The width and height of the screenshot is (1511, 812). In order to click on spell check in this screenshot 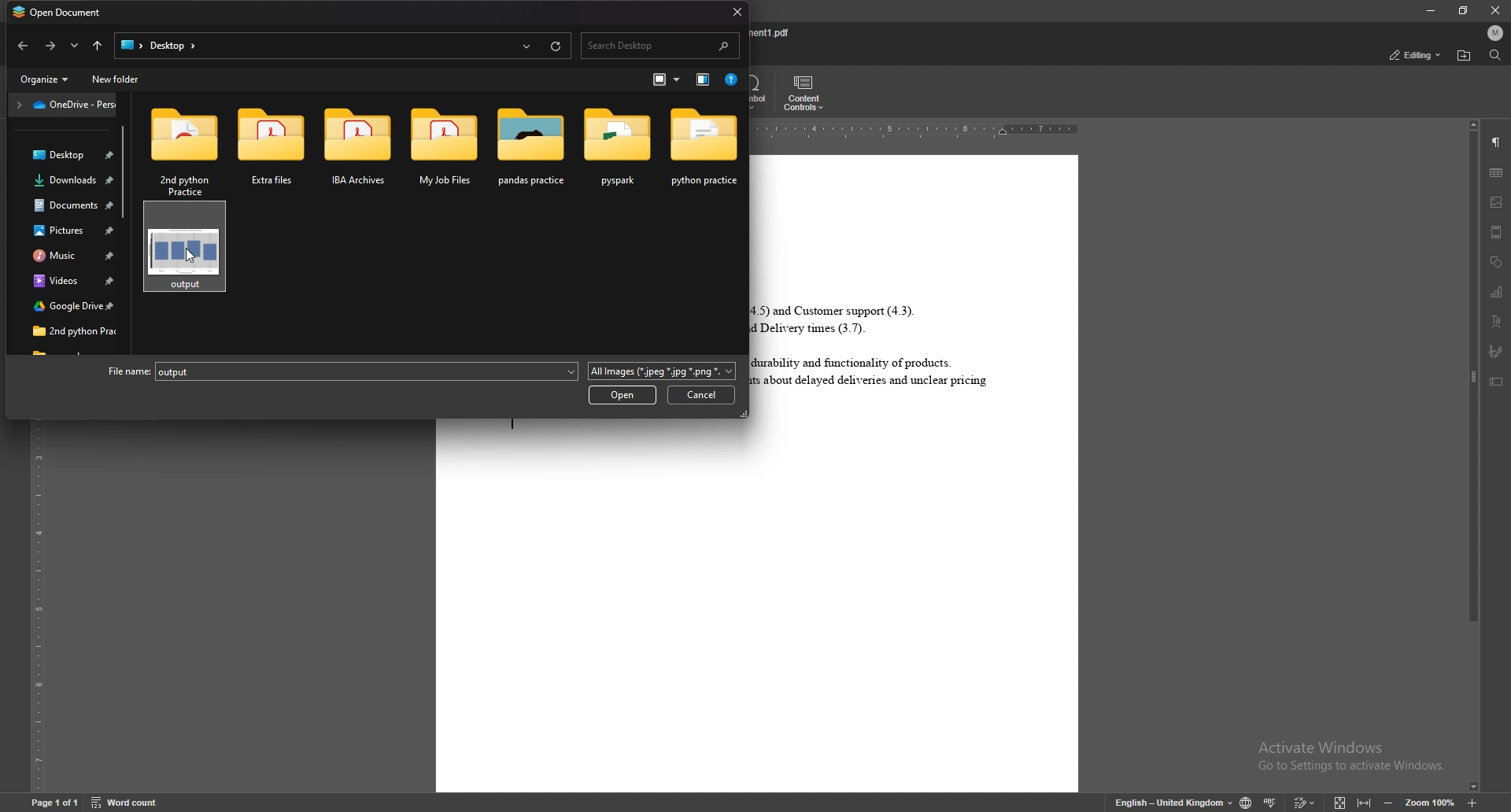, I will do `click(1271, 803)`.